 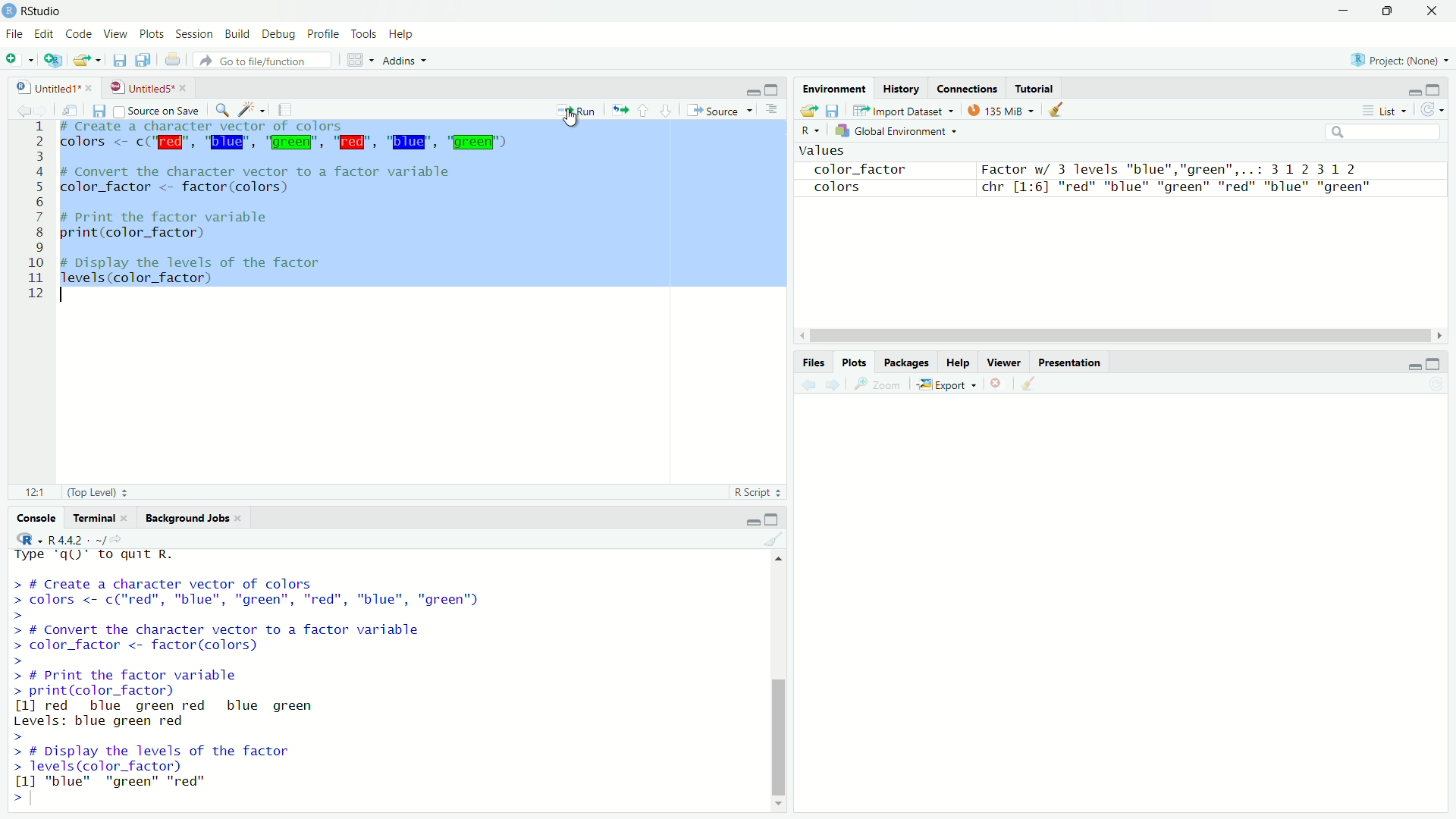 I want to click on color_factor, so click(x=855, y=169).